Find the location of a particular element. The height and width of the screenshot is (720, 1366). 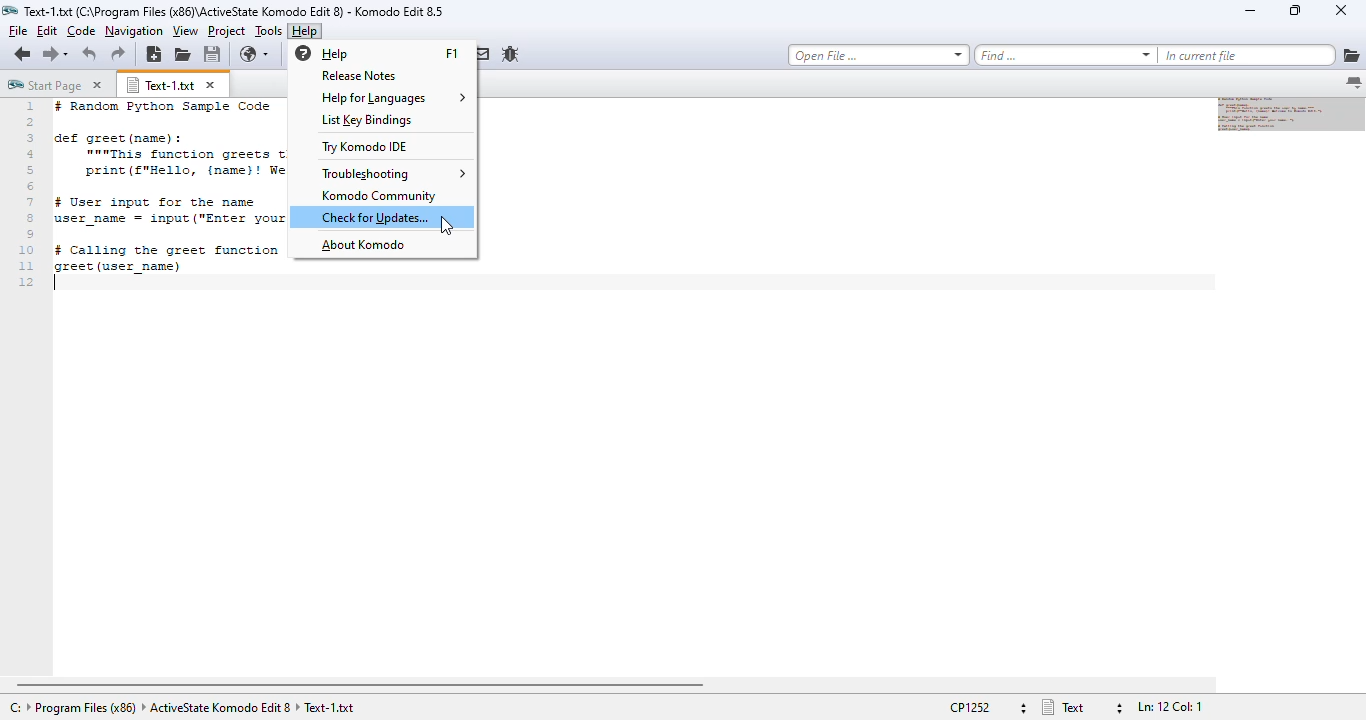

maximize is located at coordinates (1295, 10).